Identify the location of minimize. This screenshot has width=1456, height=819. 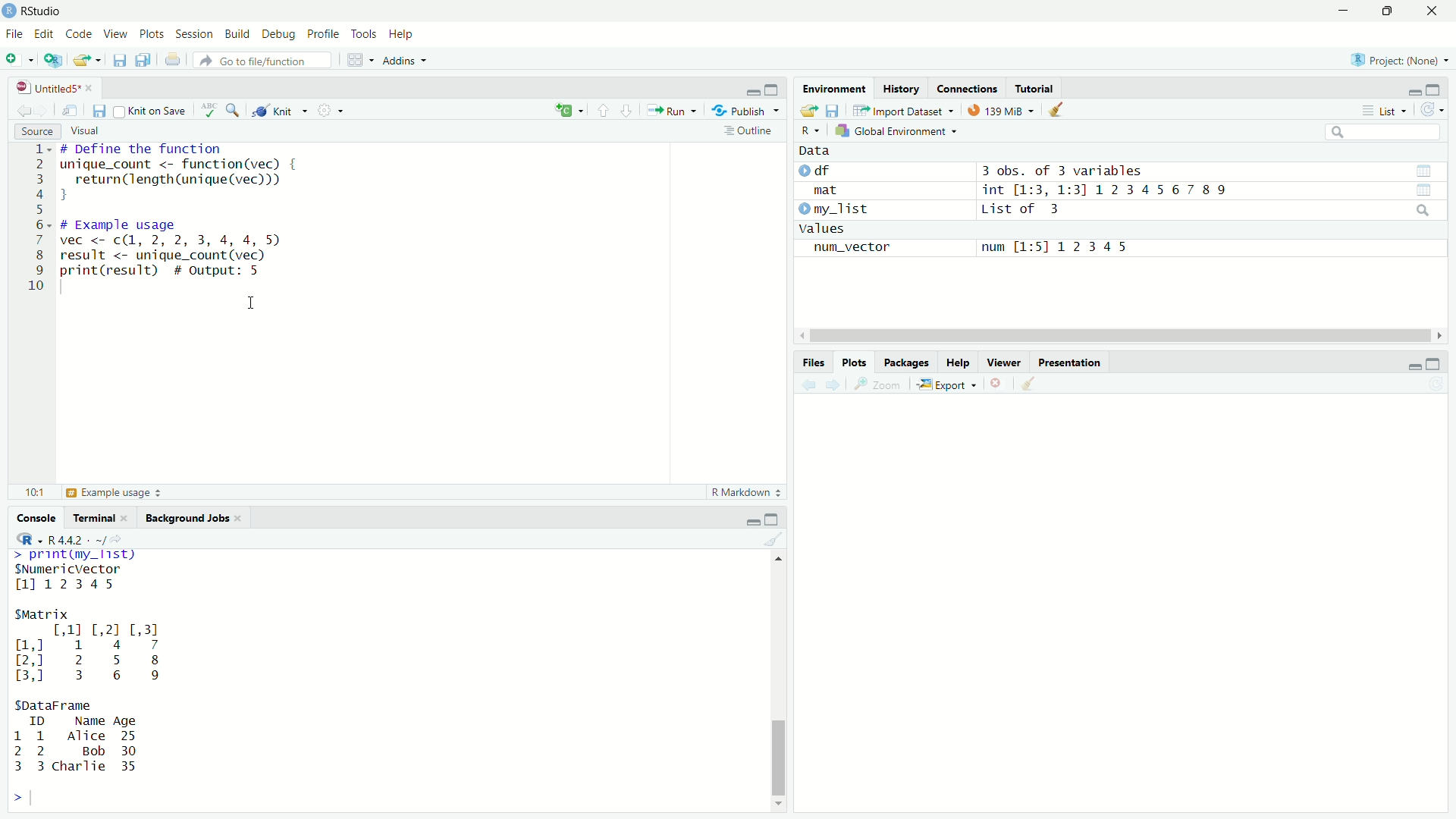
(750, 92).